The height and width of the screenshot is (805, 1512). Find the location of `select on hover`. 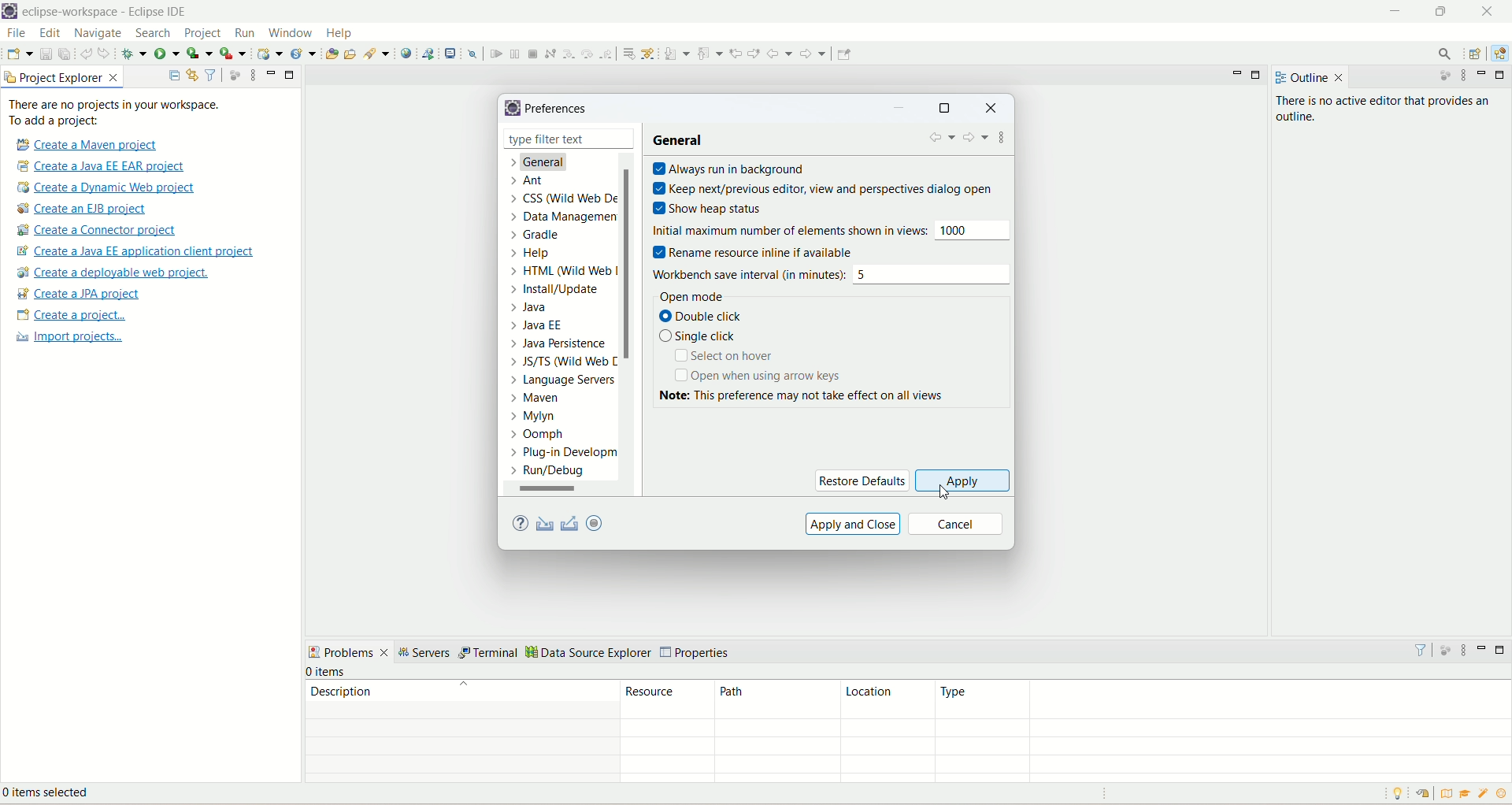

select on hover is located at coordinates (728, 358).